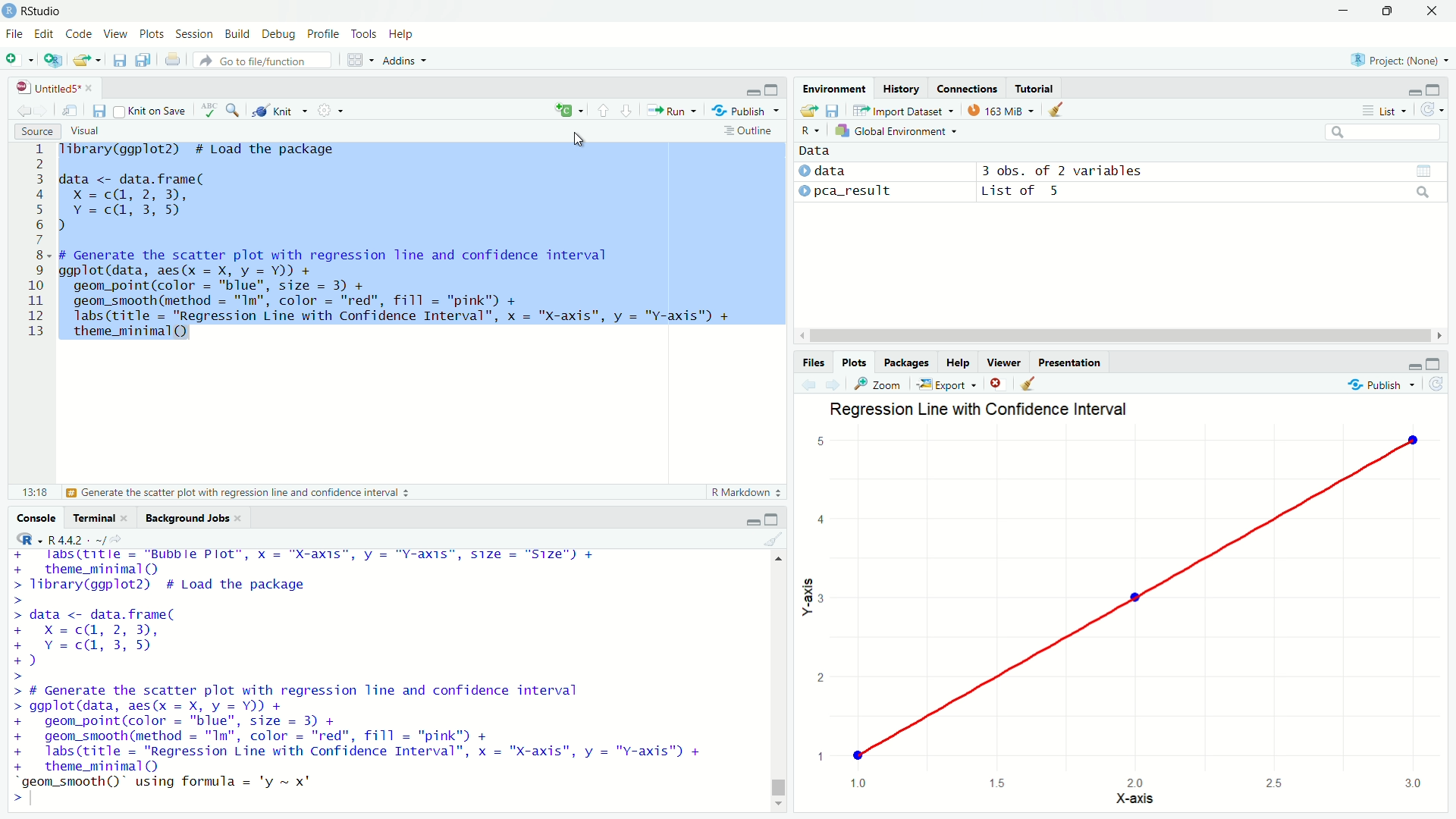  What do you see at coordinates (672, 110) in the screenshot?
I see `Run` at bounding box center [672, 110].